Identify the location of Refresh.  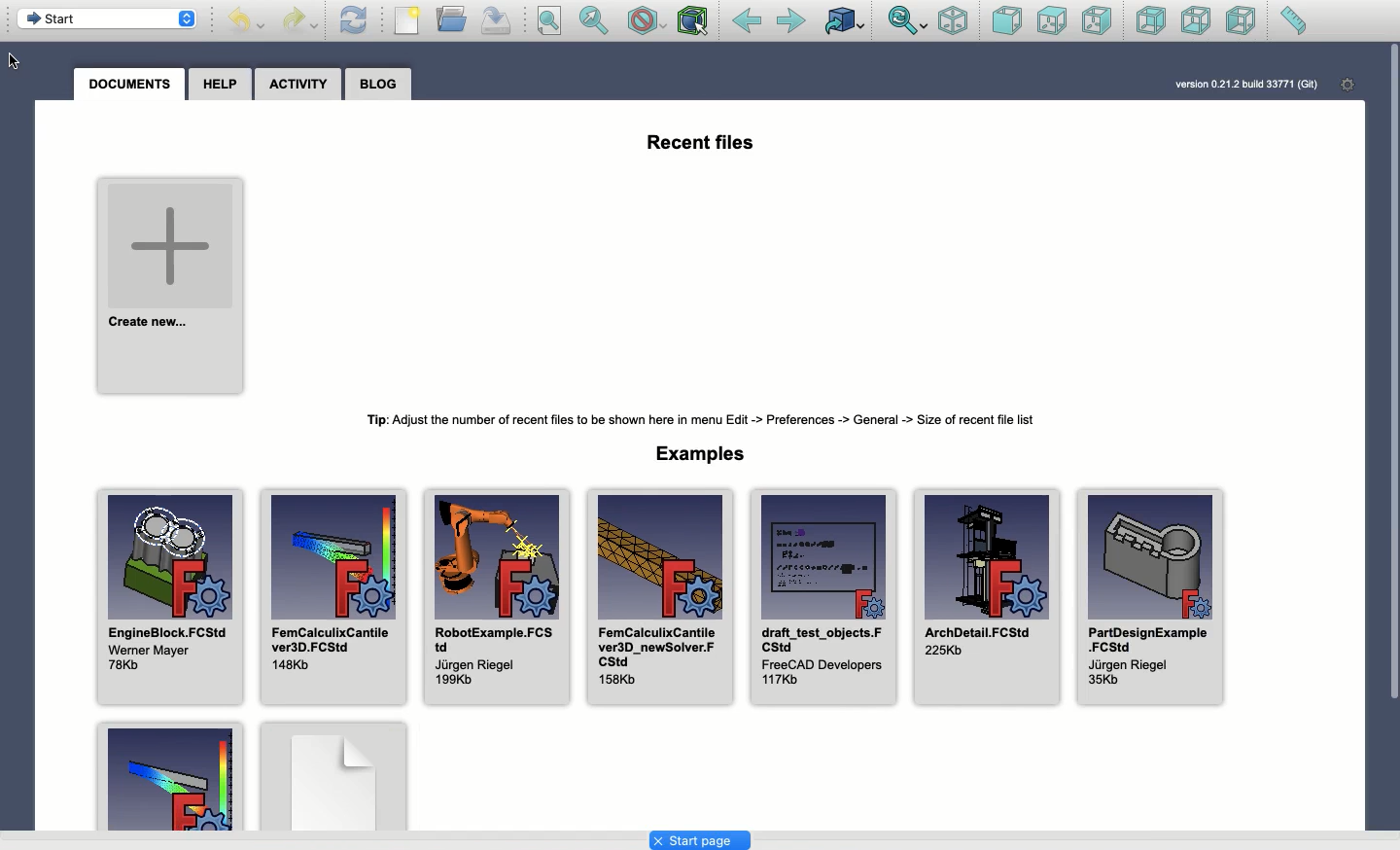
(353, 20).